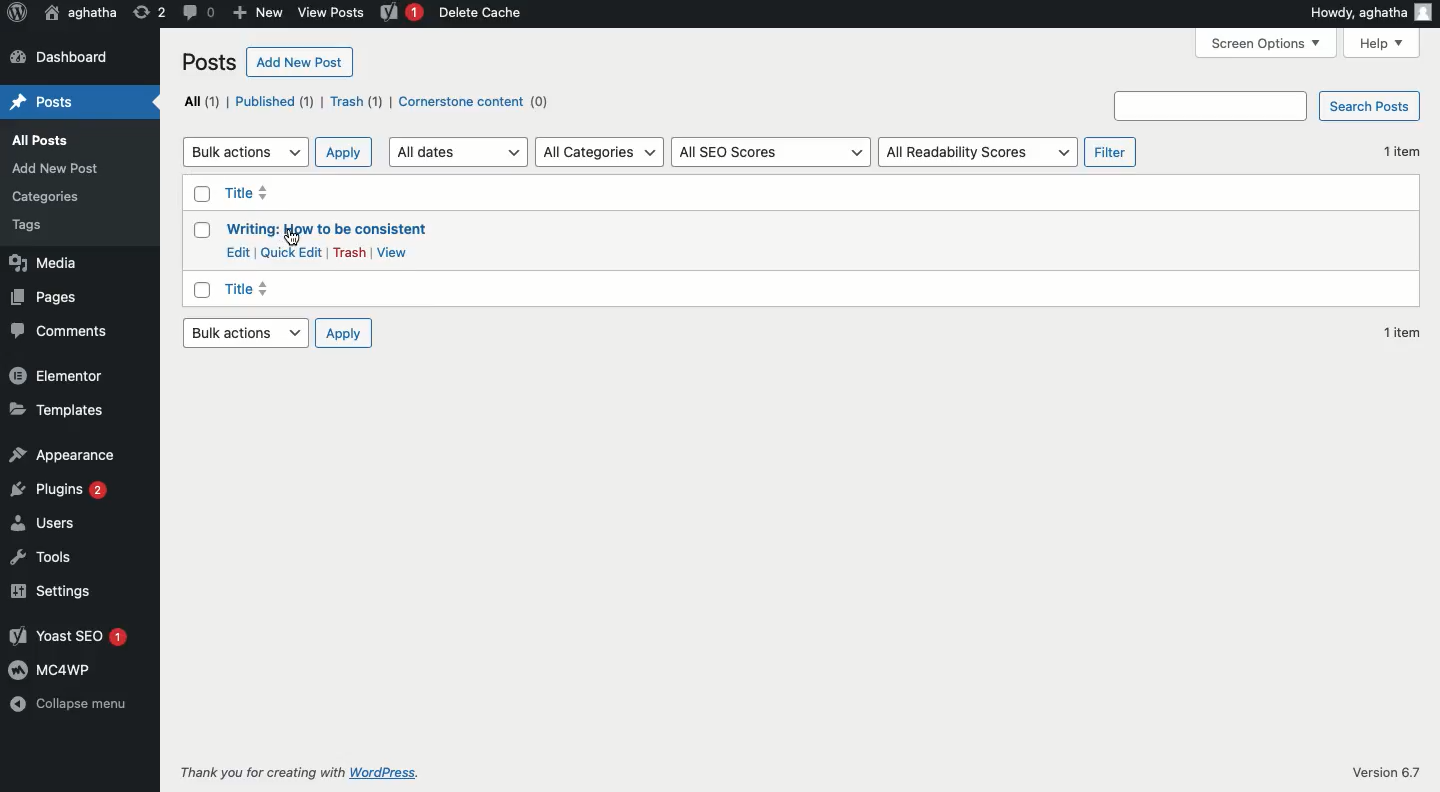  Describe the element at coordinates (1396, 333) in the screenshot. I see `1 item` at that location.